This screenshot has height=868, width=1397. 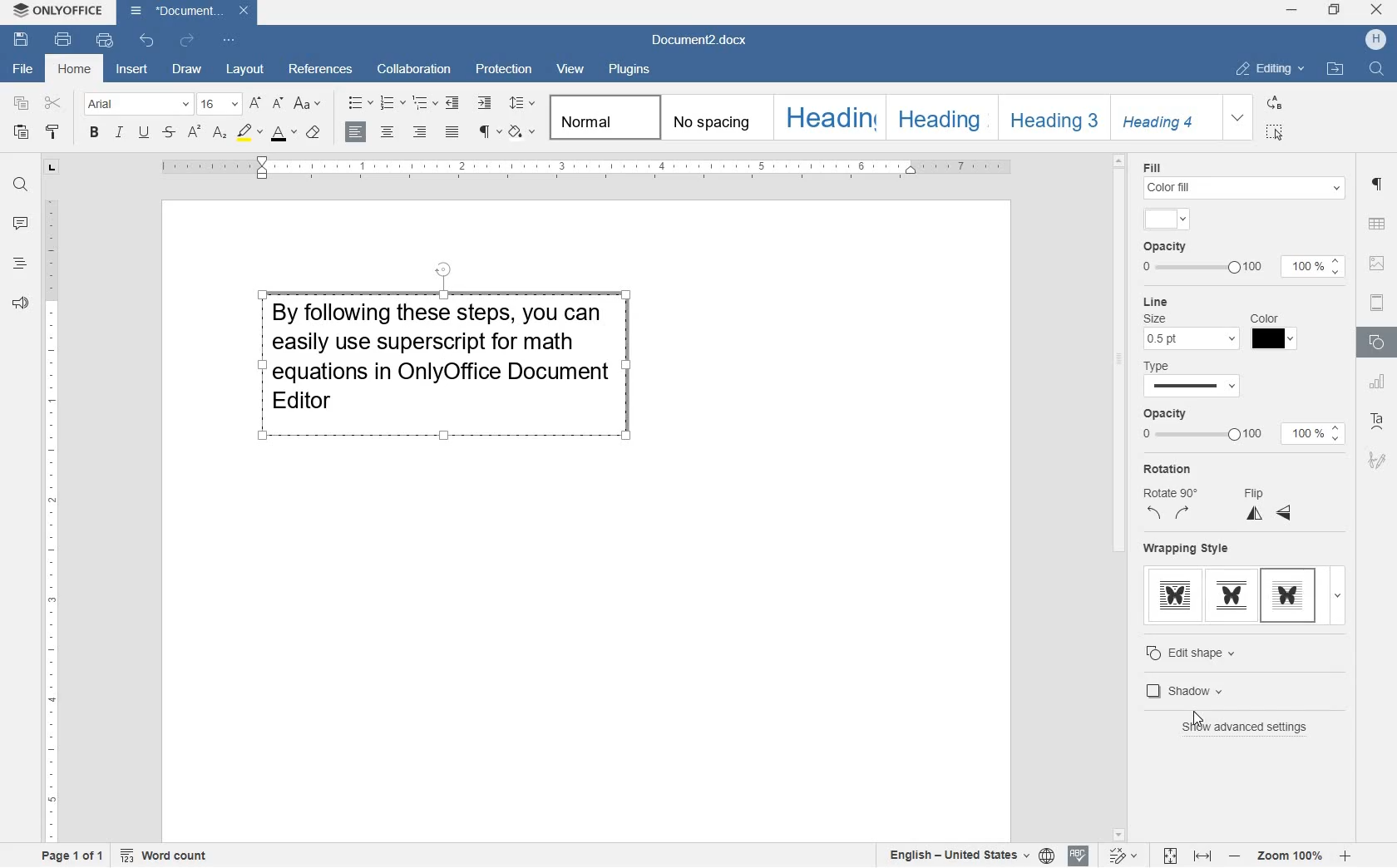 I want to click on zoom in or zoom out, so click(x=1289, y=855).